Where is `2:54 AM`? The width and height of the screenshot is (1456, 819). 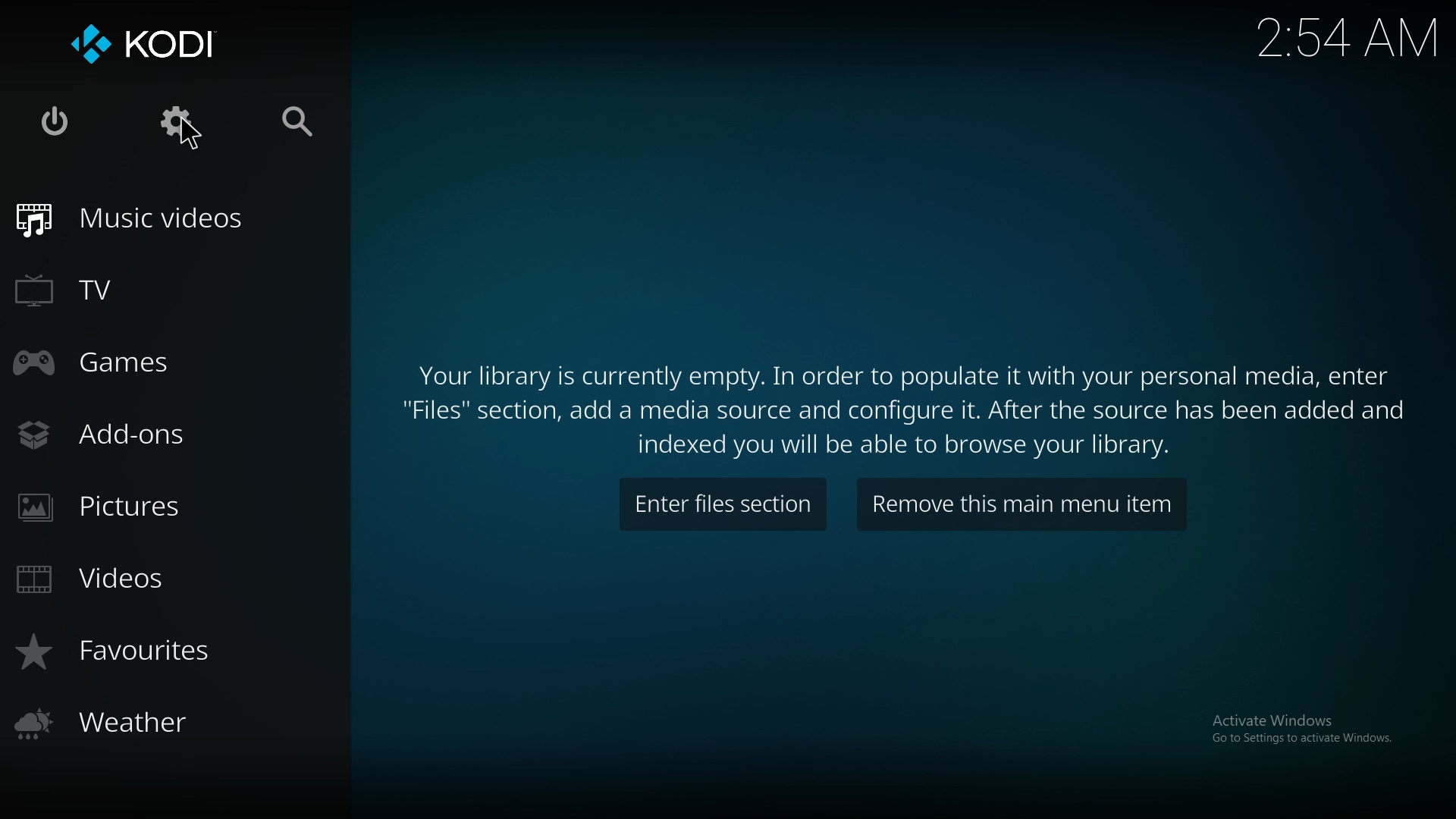
2:54 AM is located at coordinates (1342, 42).